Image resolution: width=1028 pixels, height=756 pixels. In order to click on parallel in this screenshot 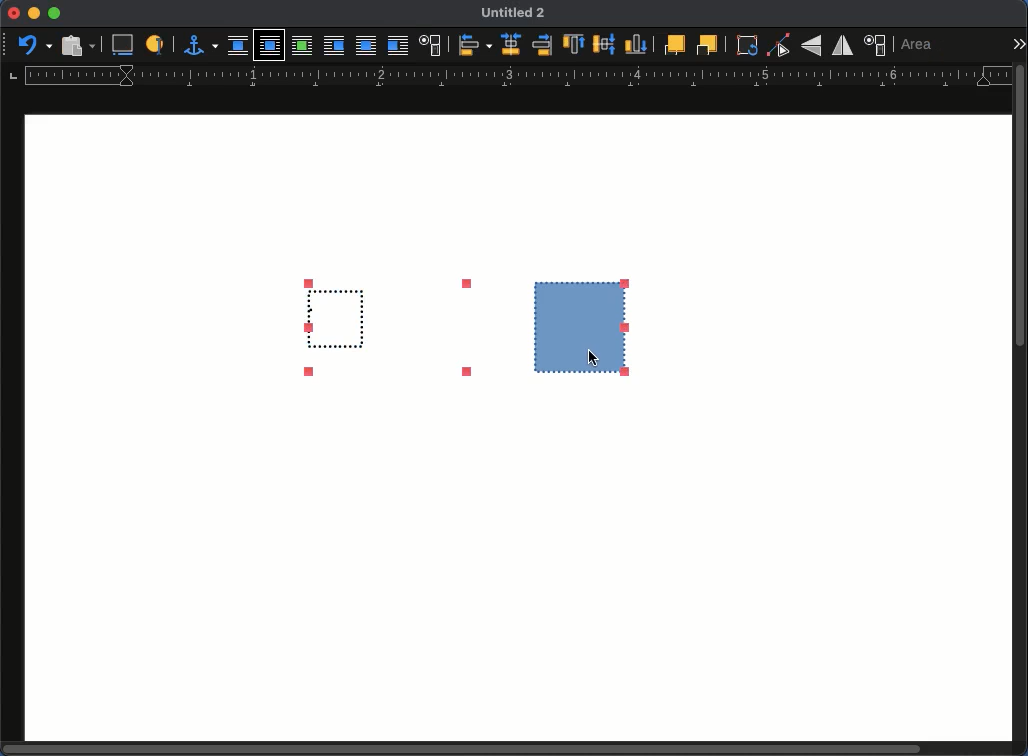, I will do `click(270, 47)`.